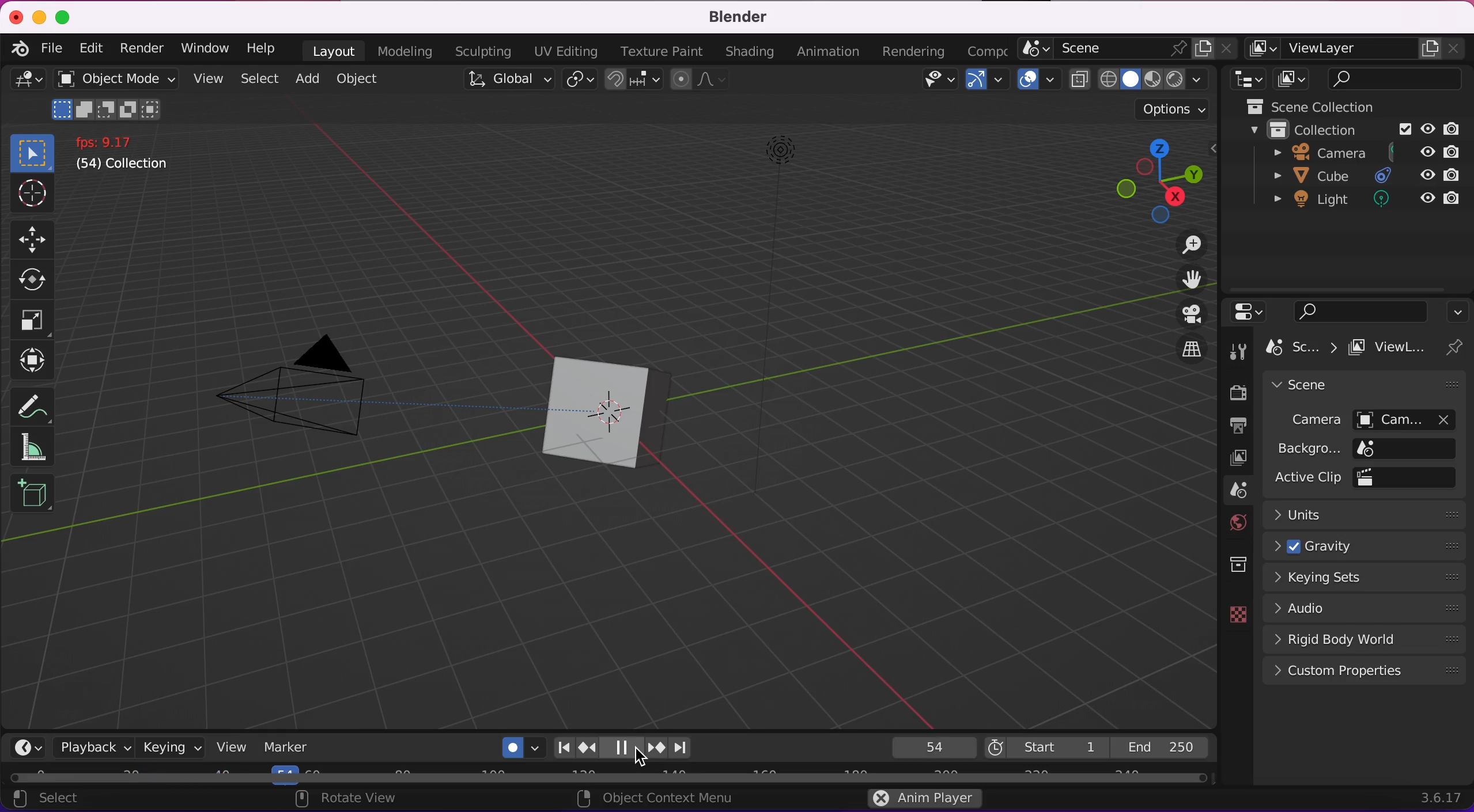  What do you see at coordinates (1171, 109) in the screenshot?
I see `options` at bounding box center [1171, 109].